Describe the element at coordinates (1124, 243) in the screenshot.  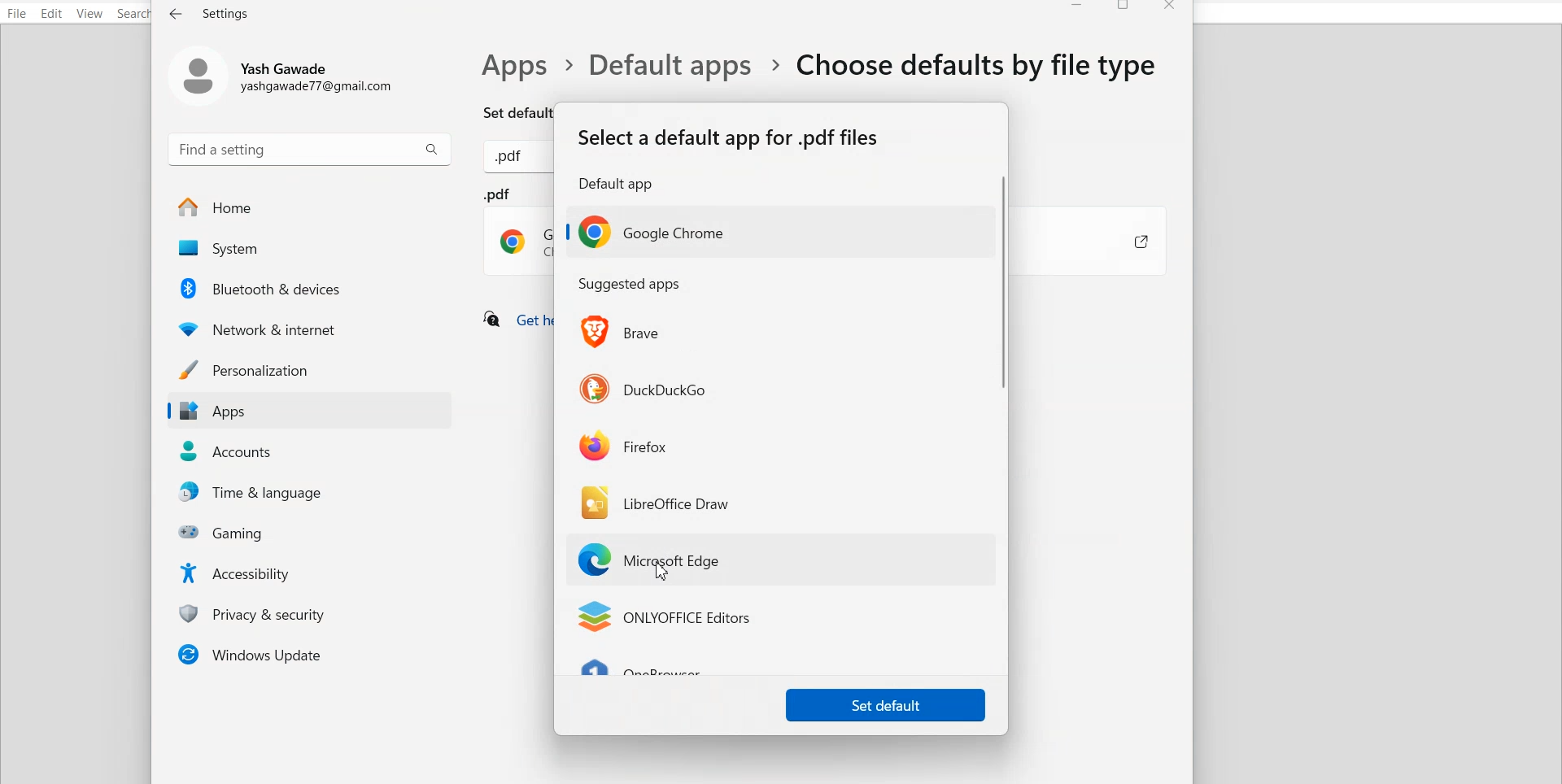
I see `Share` at that location.